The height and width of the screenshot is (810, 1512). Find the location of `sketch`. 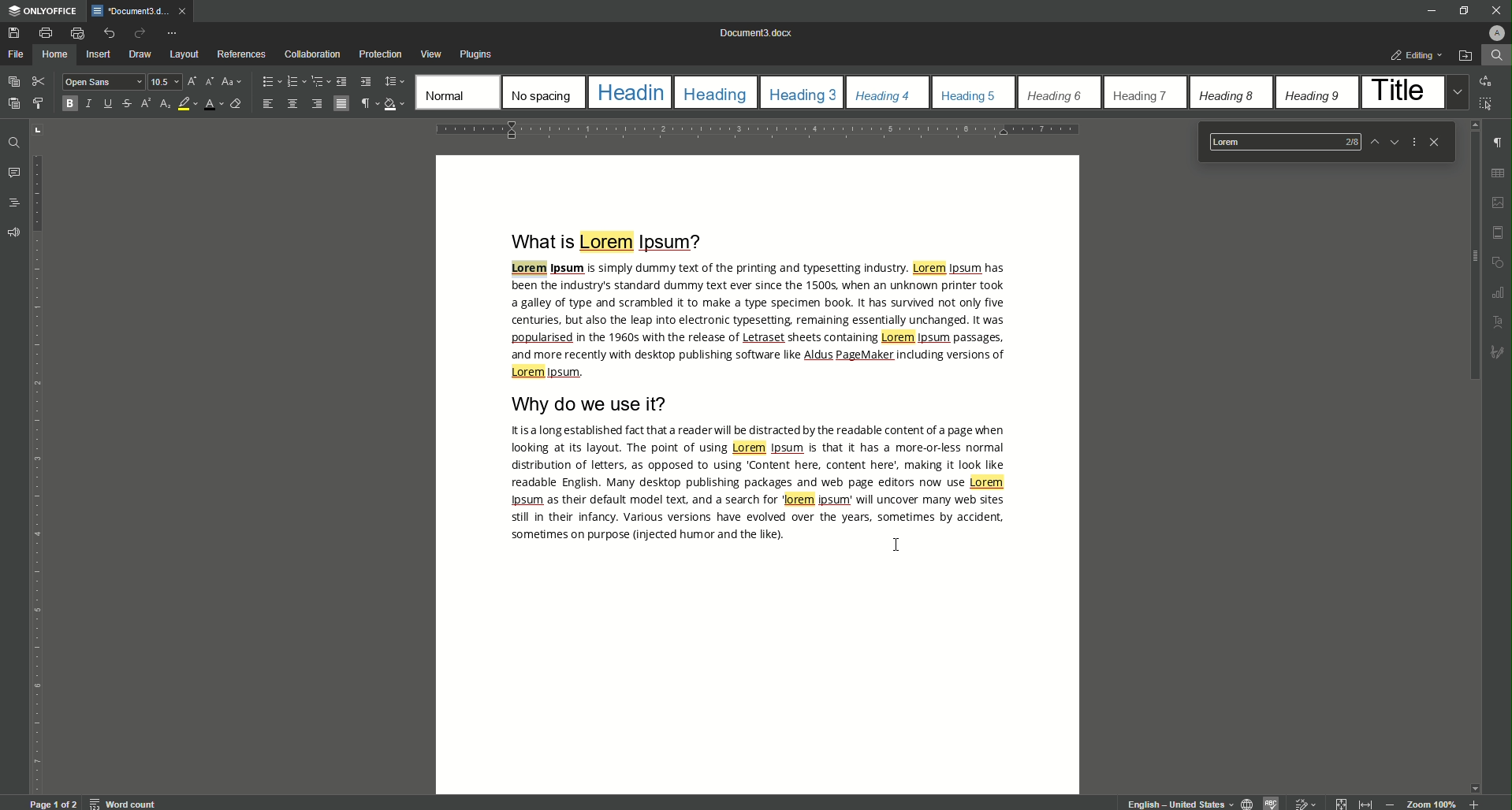

sketch is located at coordinates (1499, 352).